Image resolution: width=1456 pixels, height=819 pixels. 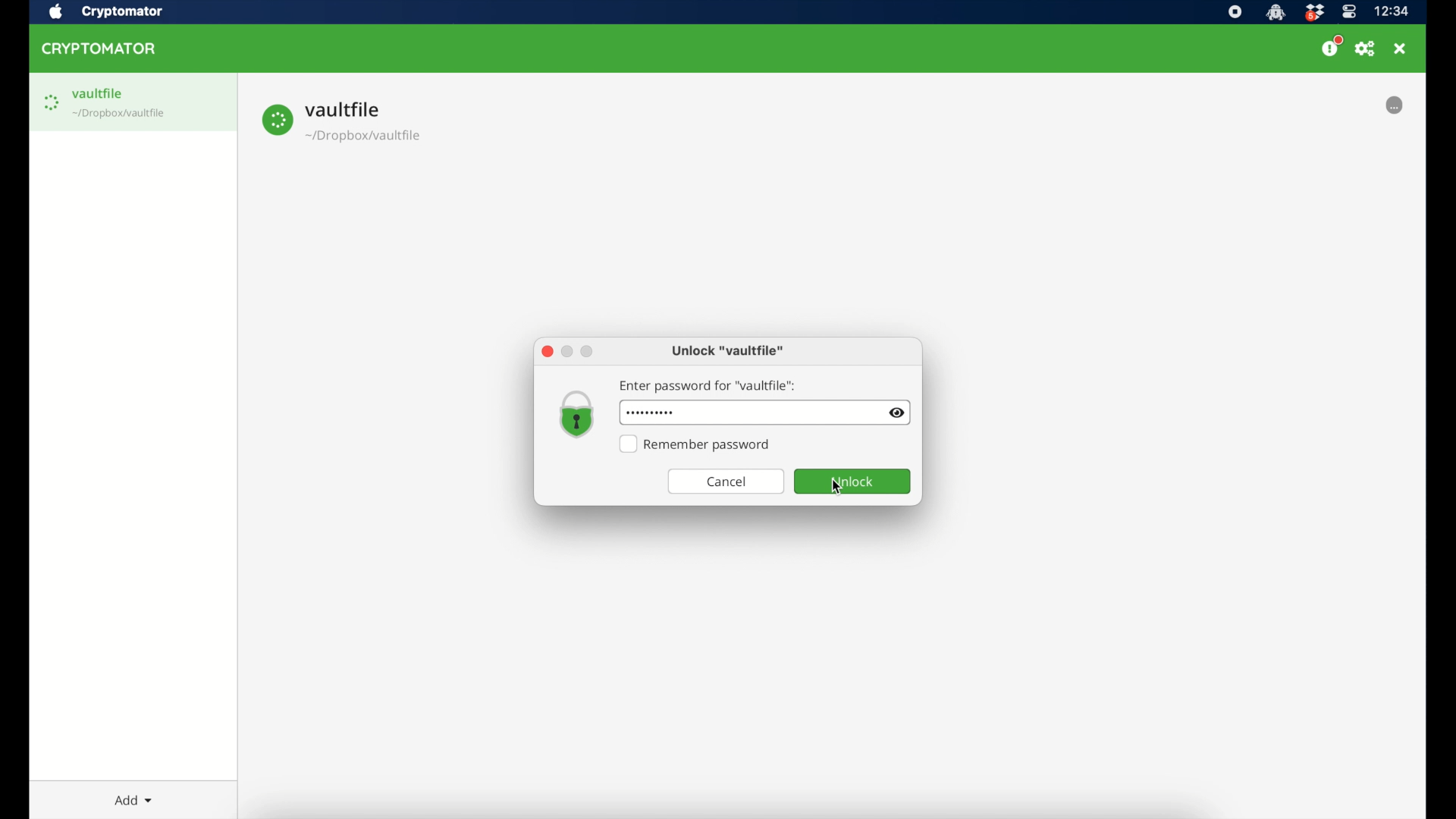 I want to click on unlock, so click(x=852, y=482).